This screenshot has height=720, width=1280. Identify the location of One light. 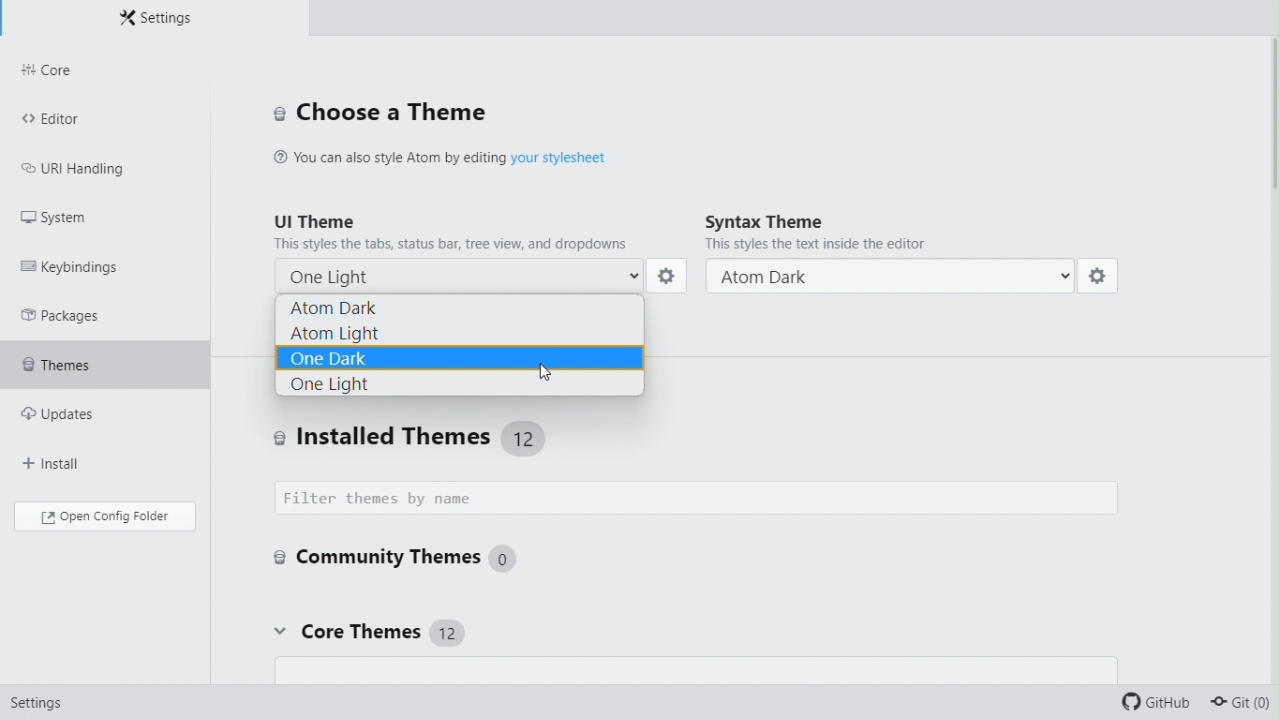
(460, 386).